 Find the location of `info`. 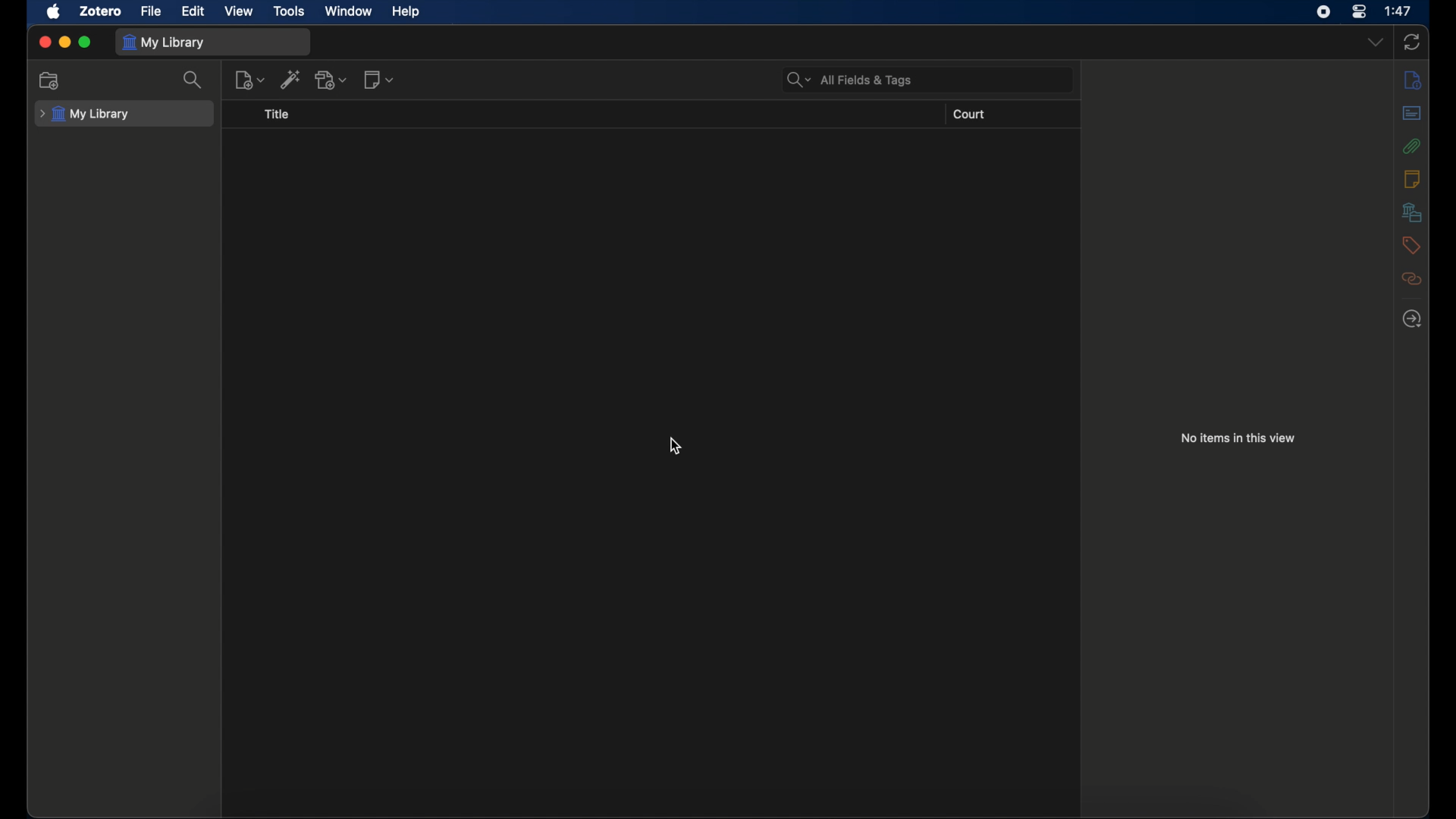

info is located at coordinates (1414, 80).